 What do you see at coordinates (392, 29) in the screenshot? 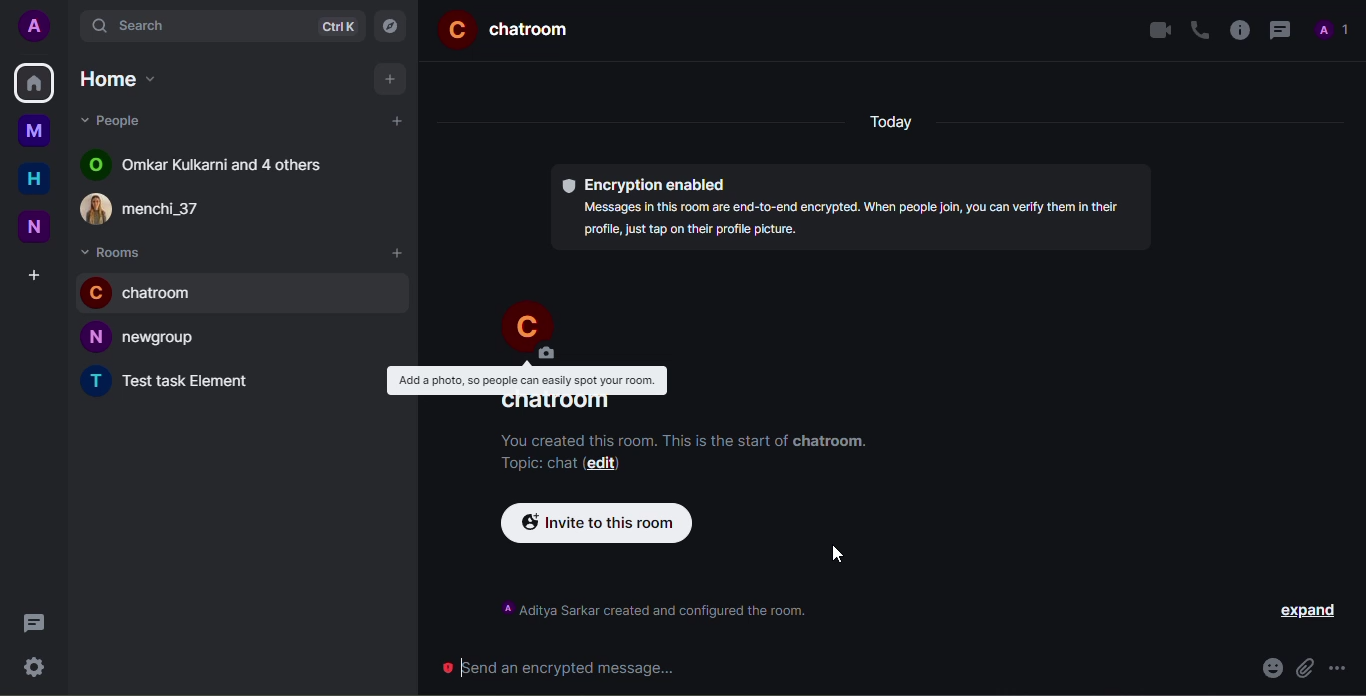
I see `explore rooms` at bounding box center [392, 29].